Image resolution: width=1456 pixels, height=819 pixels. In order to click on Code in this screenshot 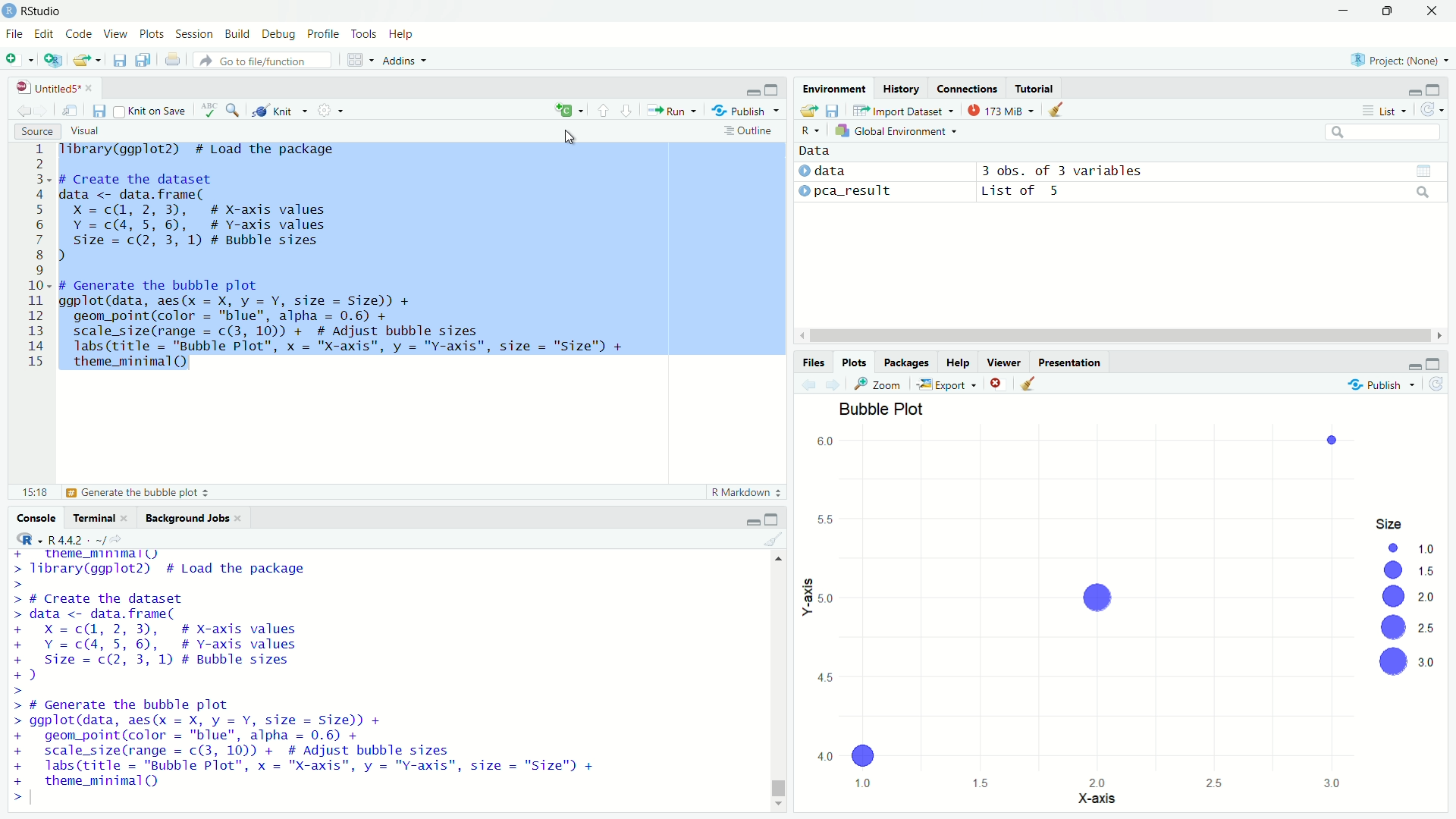, I will do `click(82, 35)`.